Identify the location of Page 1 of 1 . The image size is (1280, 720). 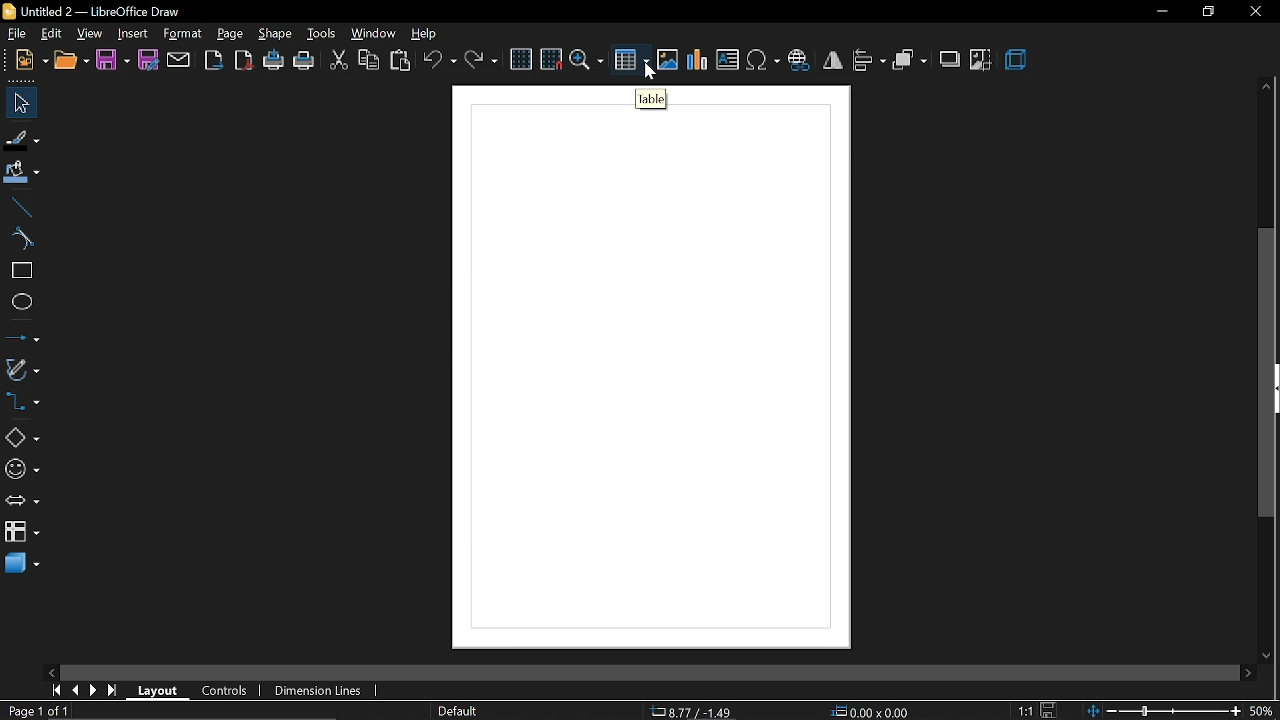
(34, 710).